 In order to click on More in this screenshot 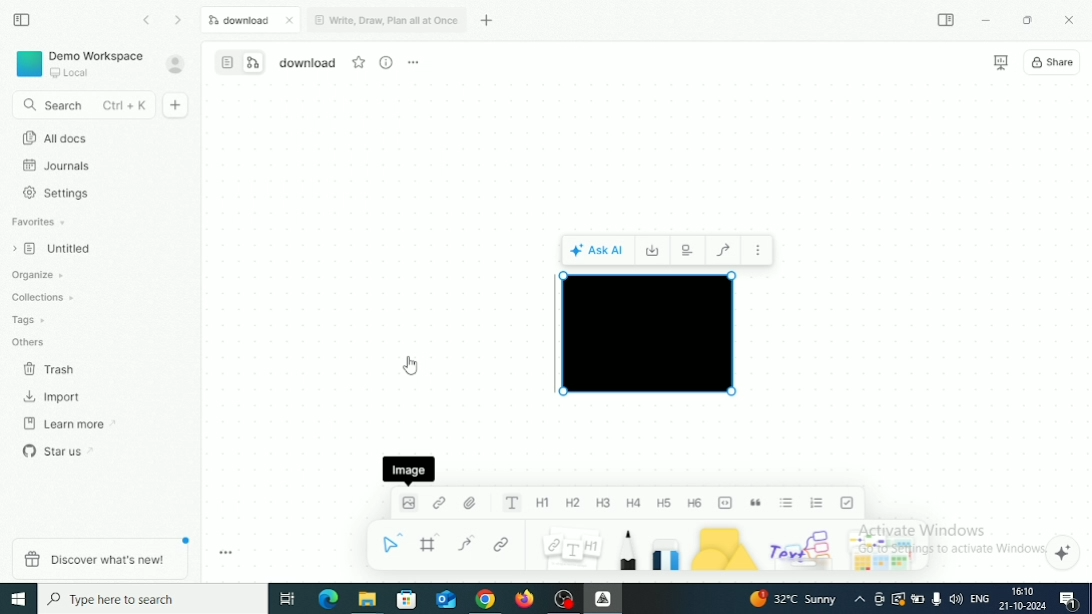, I will do `click(760, 253)`.